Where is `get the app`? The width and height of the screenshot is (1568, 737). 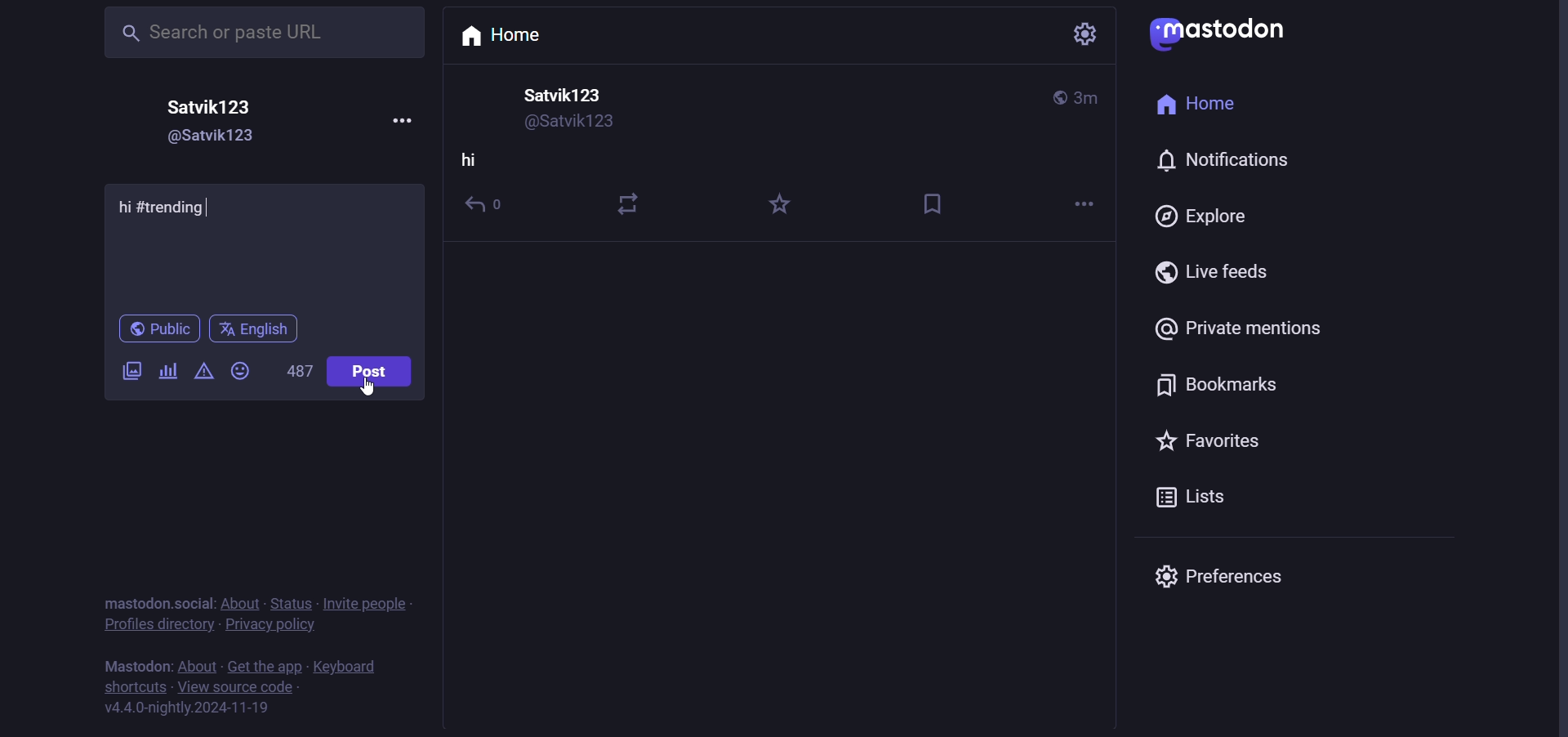
get the app is located at coordinates (262, 666).